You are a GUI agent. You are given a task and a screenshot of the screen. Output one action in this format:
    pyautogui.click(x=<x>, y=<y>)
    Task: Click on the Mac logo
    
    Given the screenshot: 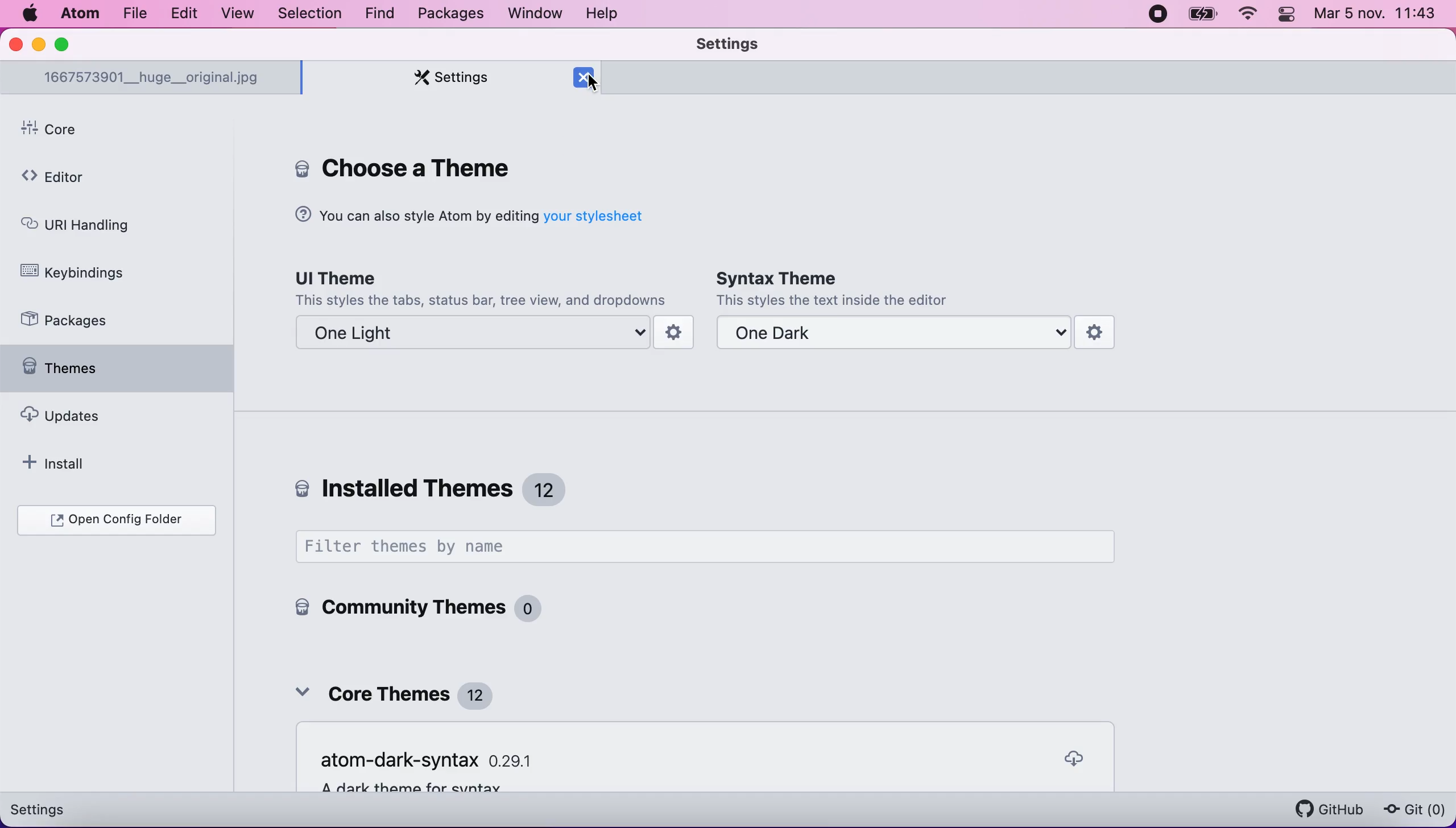 What is the action you would take?
    pyautogui.click(x=31, y=13)
    